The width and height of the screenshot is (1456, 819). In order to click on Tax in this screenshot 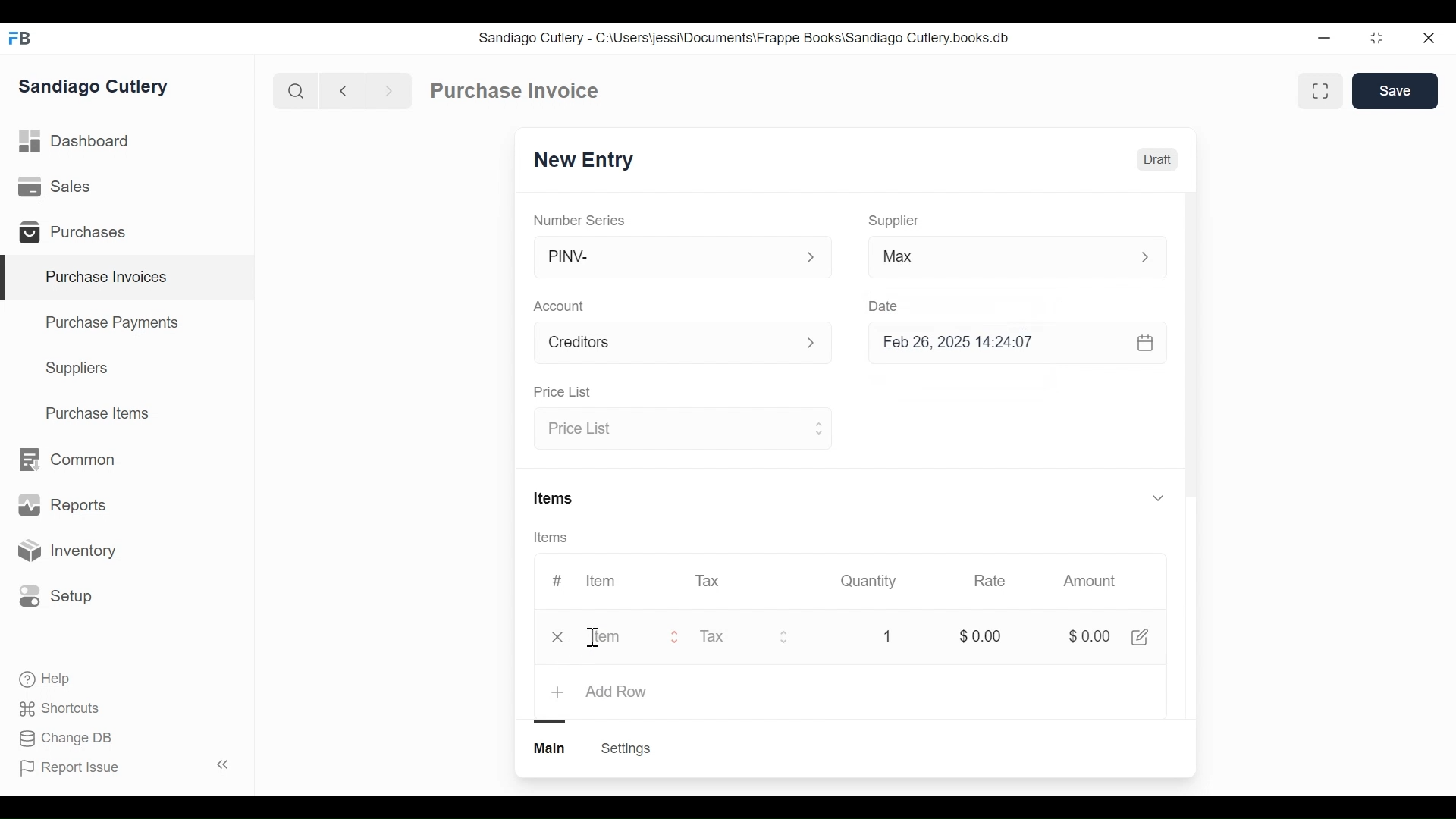, I will do `click(710, 579)`.